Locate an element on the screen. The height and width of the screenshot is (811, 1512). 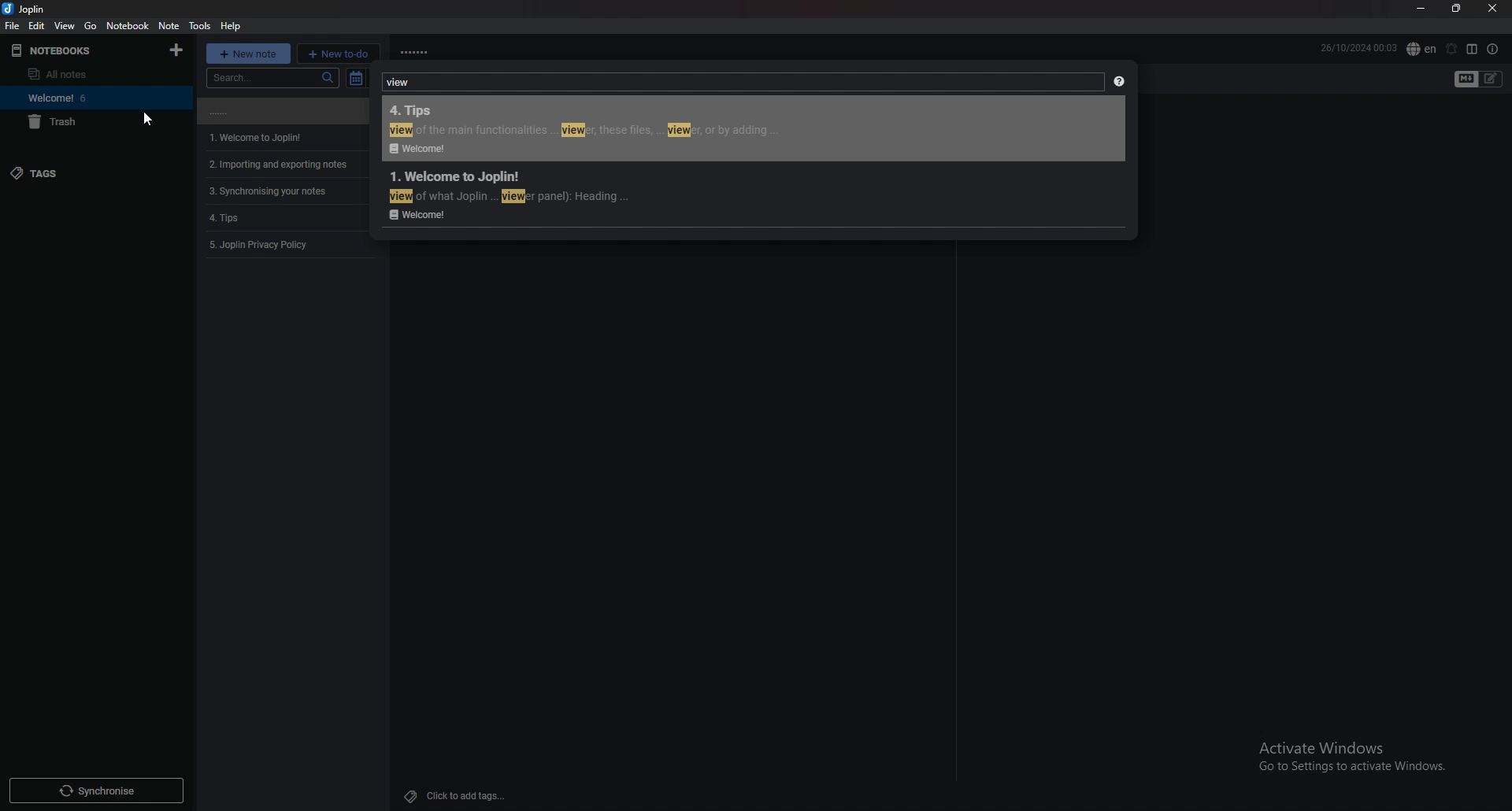
spell check is located at coordinates (1421, 48).